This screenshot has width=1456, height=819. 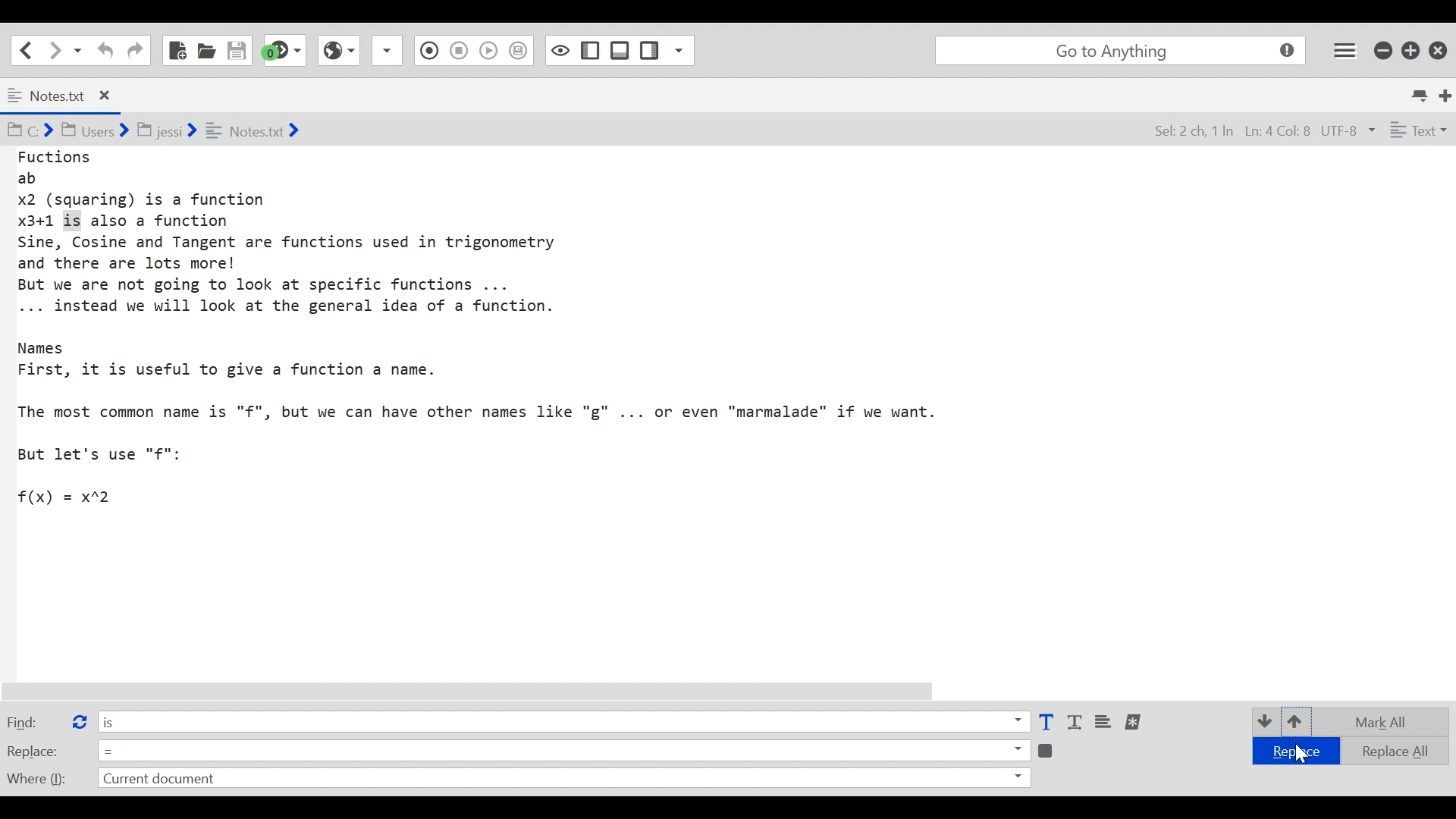 I want to click on Find, so click(x=33, y=721).